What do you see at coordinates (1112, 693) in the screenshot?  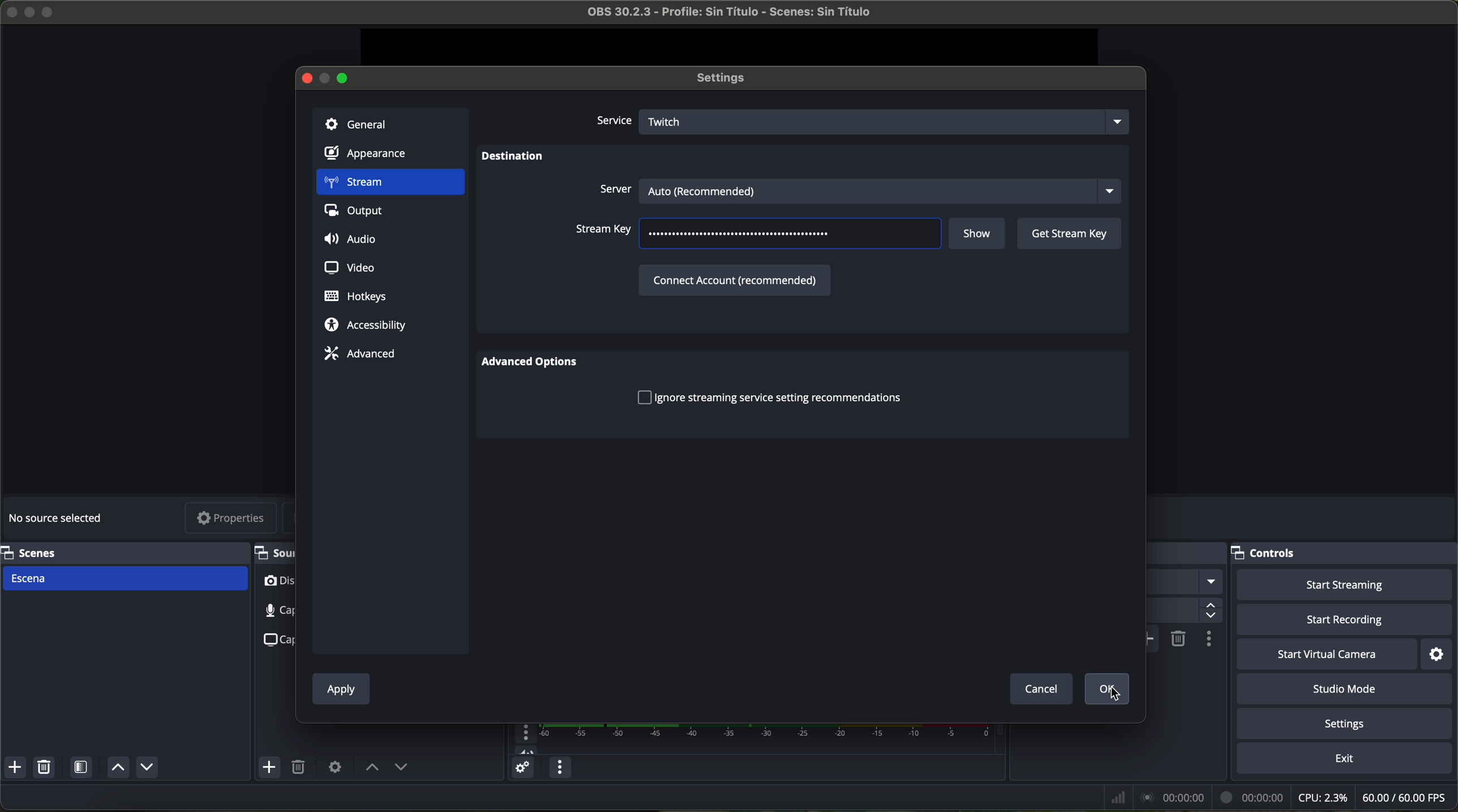 I see `cursor` at bounding box center [1112, 693].